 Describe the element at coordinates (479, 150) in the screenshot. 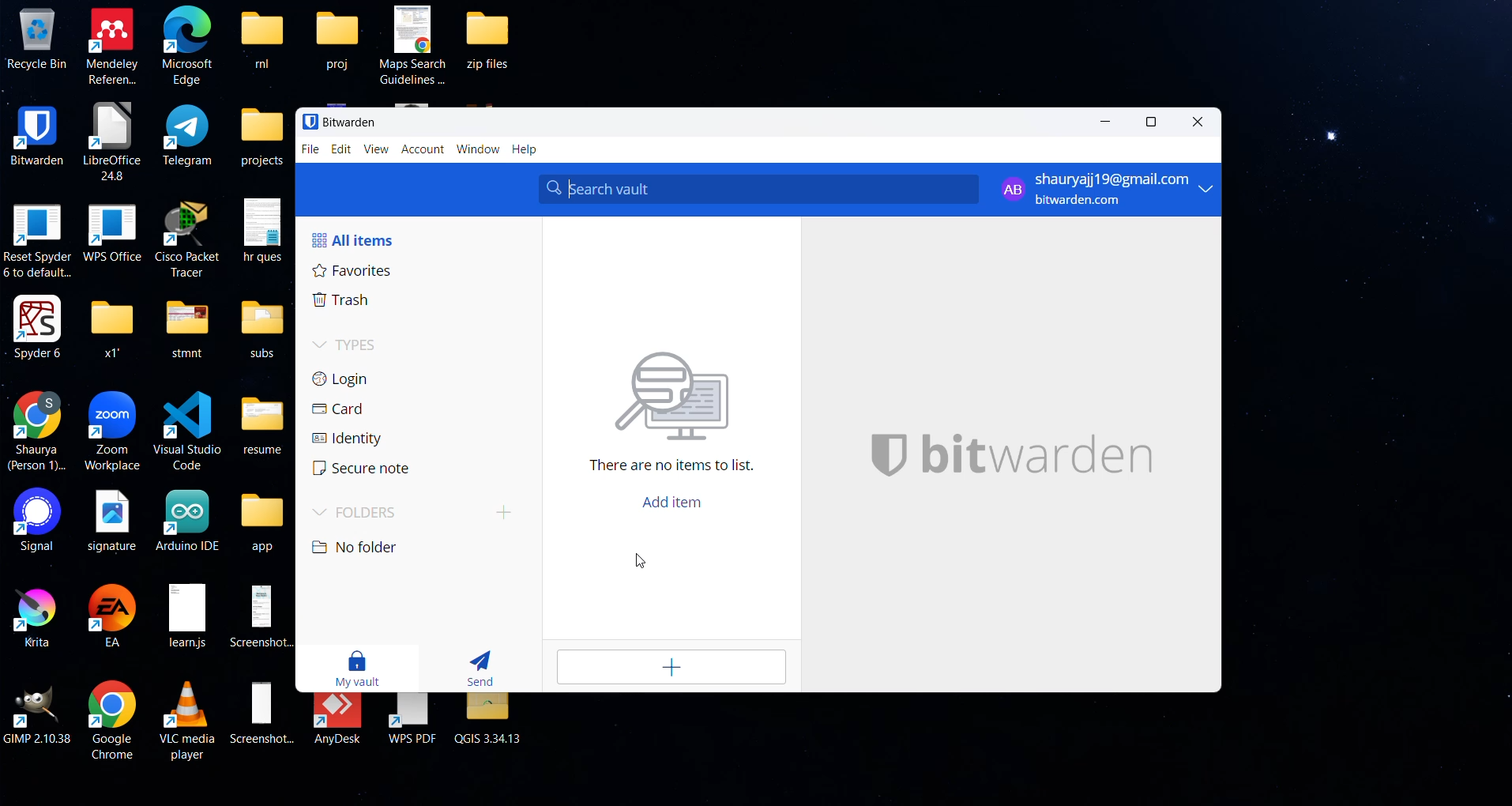

I see `window` at that location.